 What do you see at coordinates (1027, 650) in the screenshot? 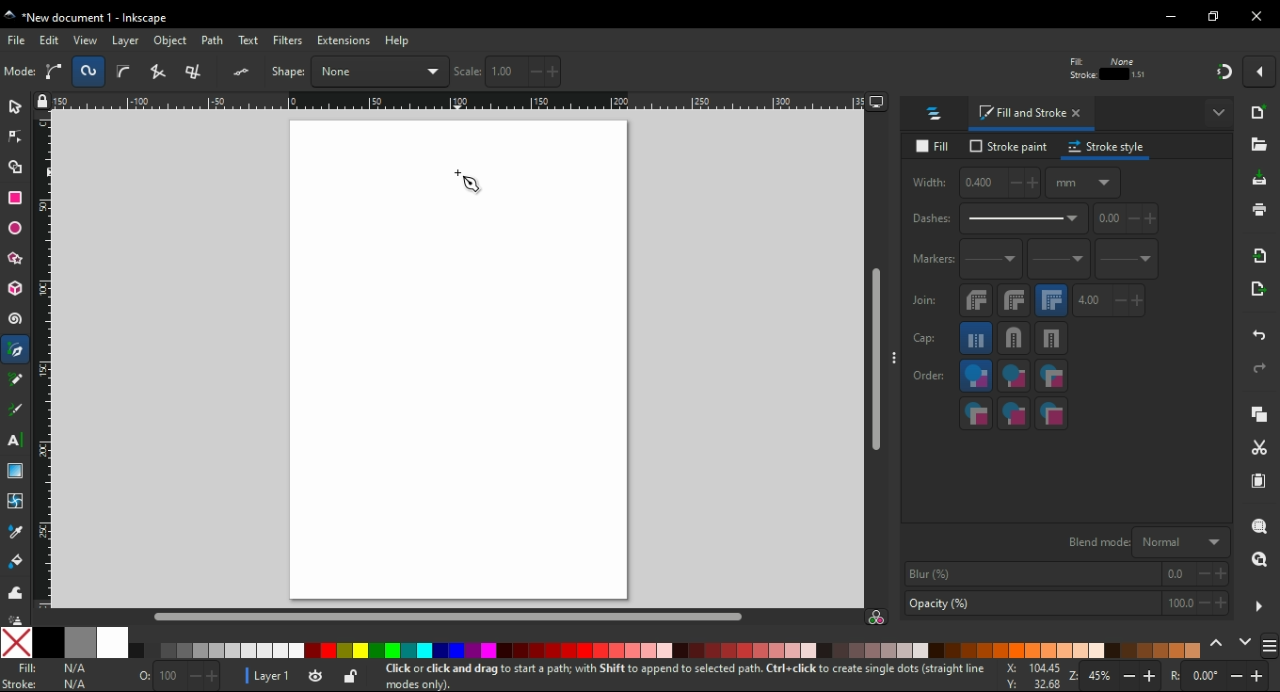
I see `color tone pallete` at bounding box center [1027, 650].